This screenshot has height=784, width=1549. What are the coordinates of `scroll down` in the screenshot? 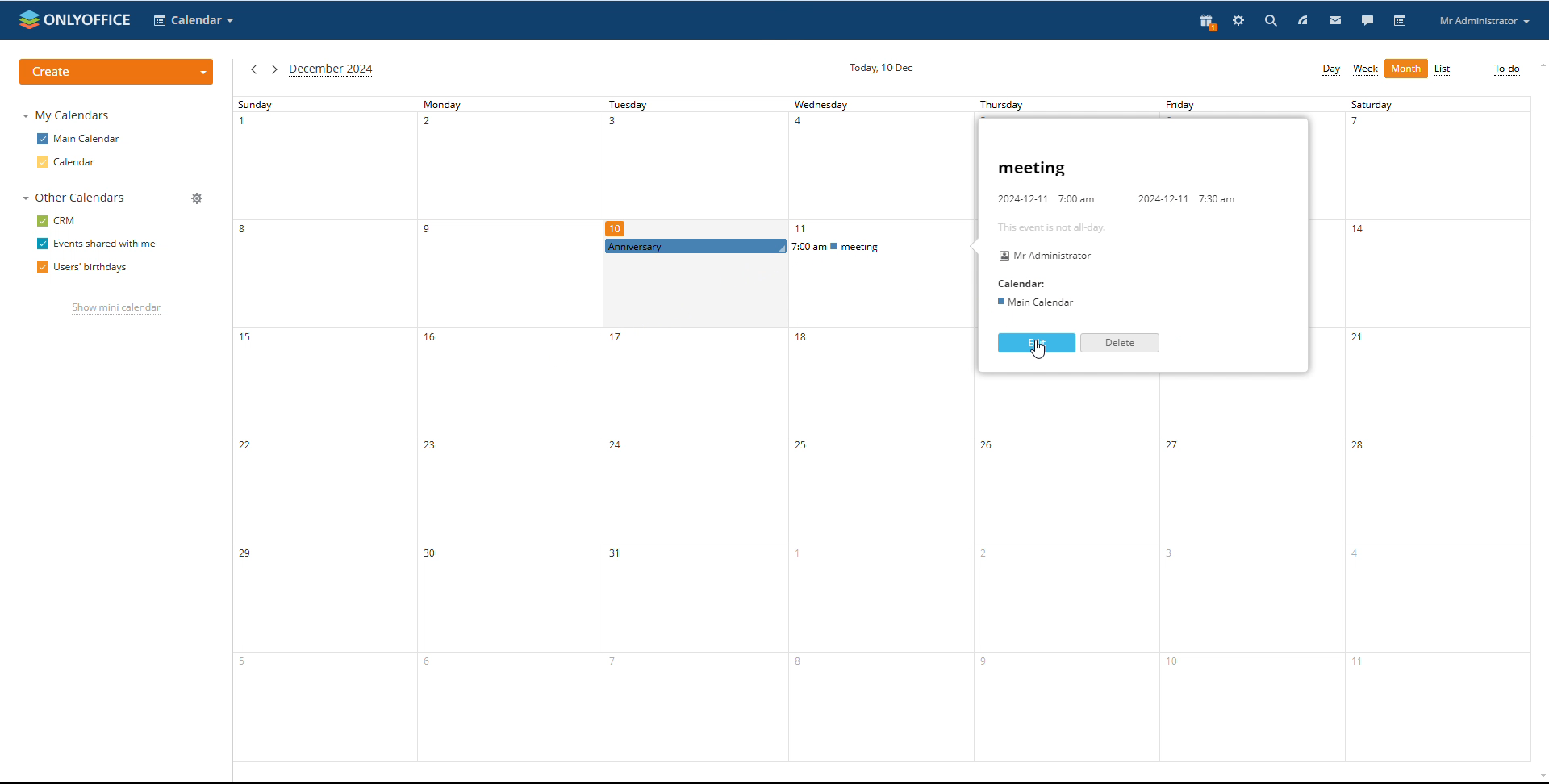 It's located at (1539, 778).